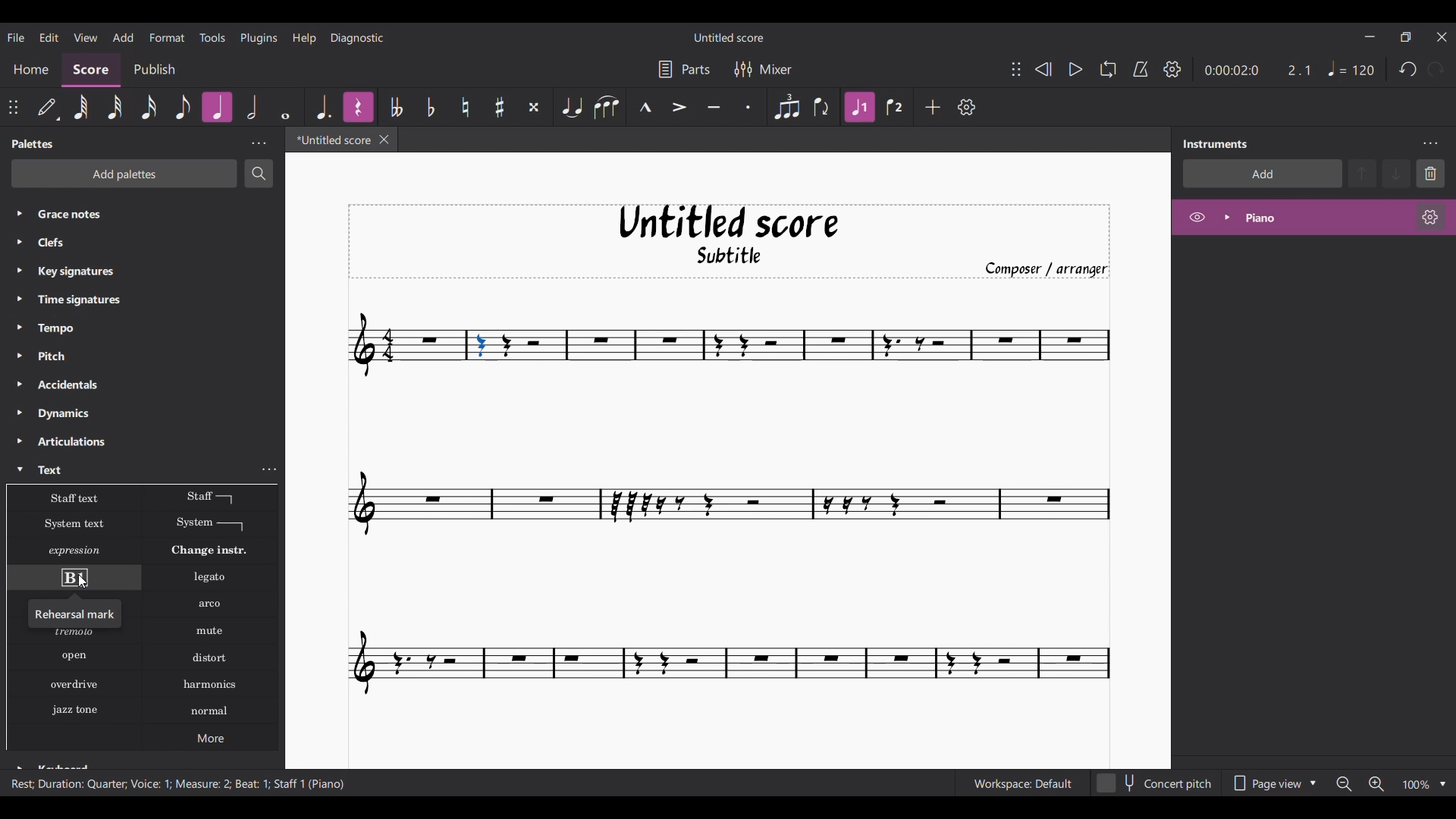 The height and width of the screenshot is (819, 1456). Describe the element at coordinates (115, 106) in the screenshot. I see `32nd note` at that location.